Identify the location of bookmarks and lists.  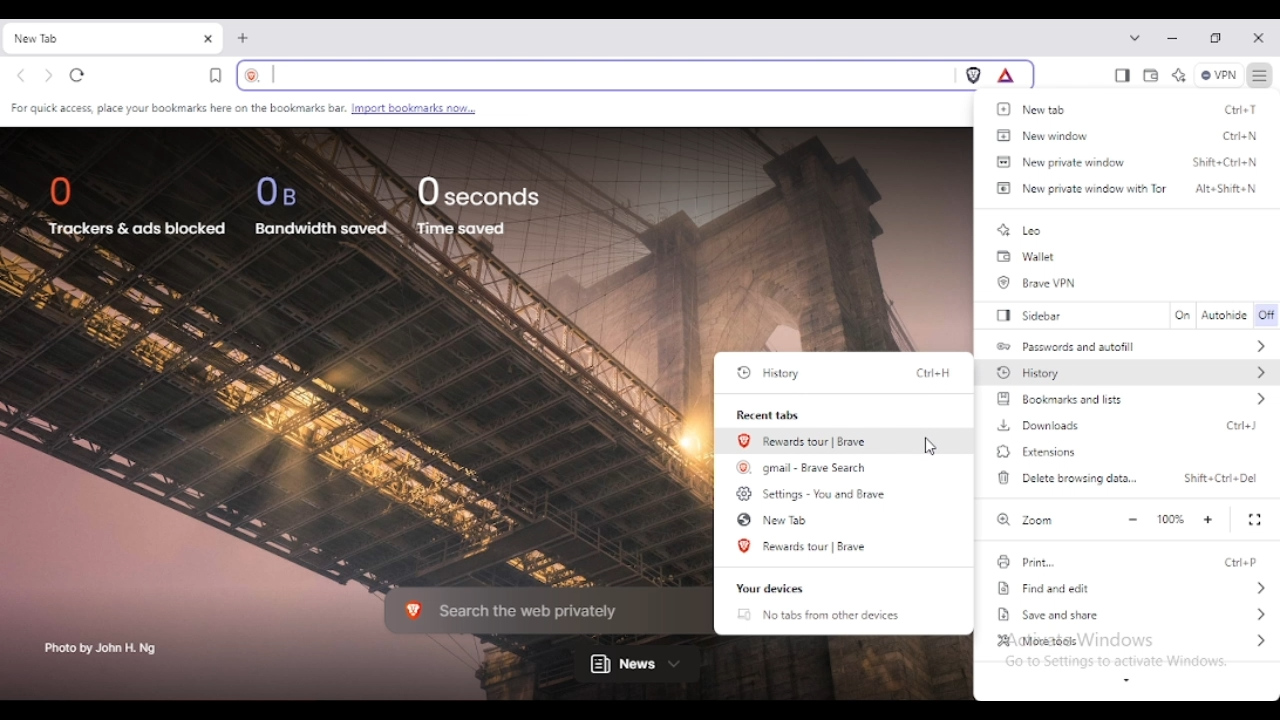
(1132, 399).